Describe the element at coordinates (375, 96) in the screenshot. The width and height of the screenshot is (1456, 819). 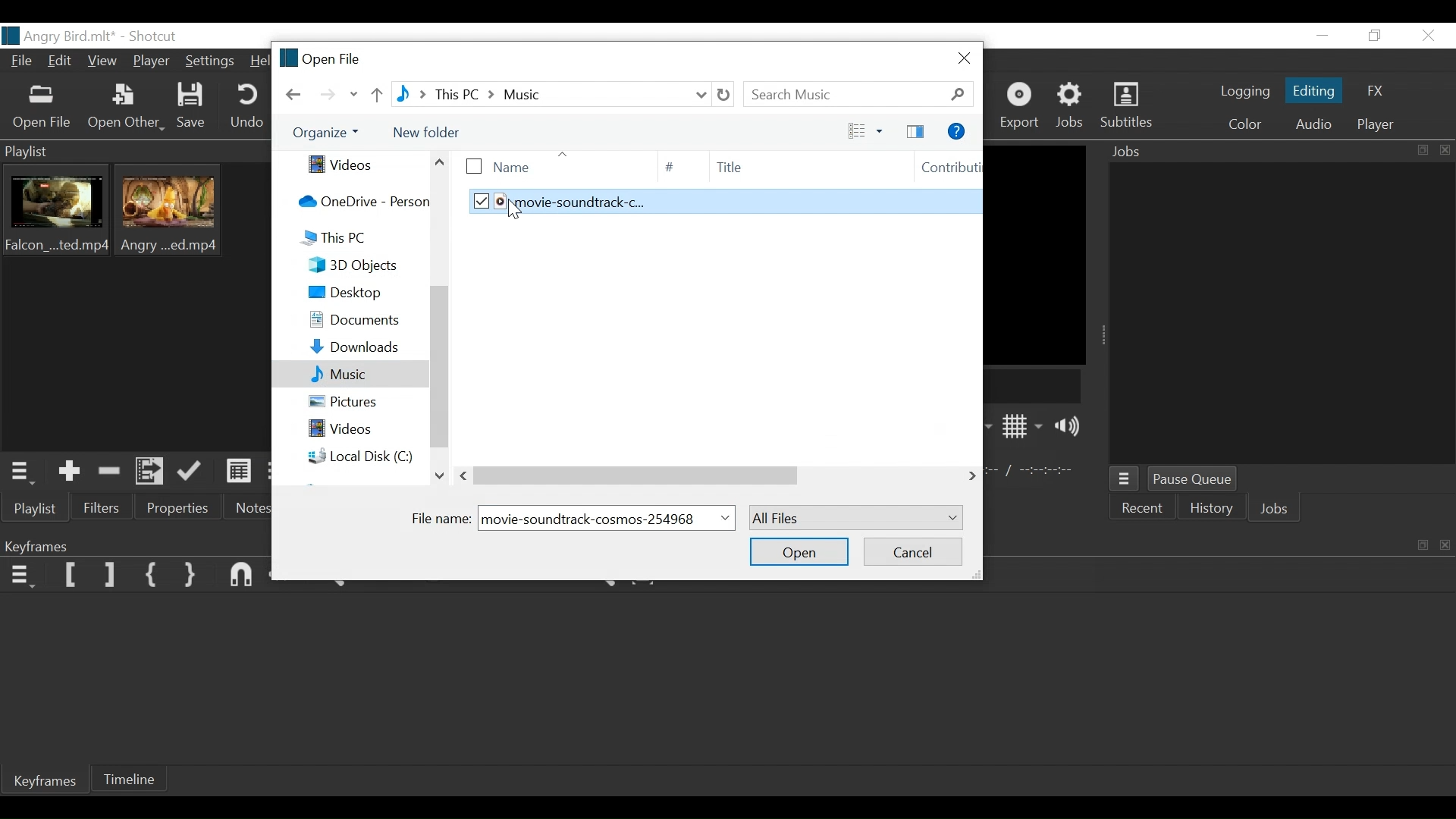
I see `Go Up` at that location.